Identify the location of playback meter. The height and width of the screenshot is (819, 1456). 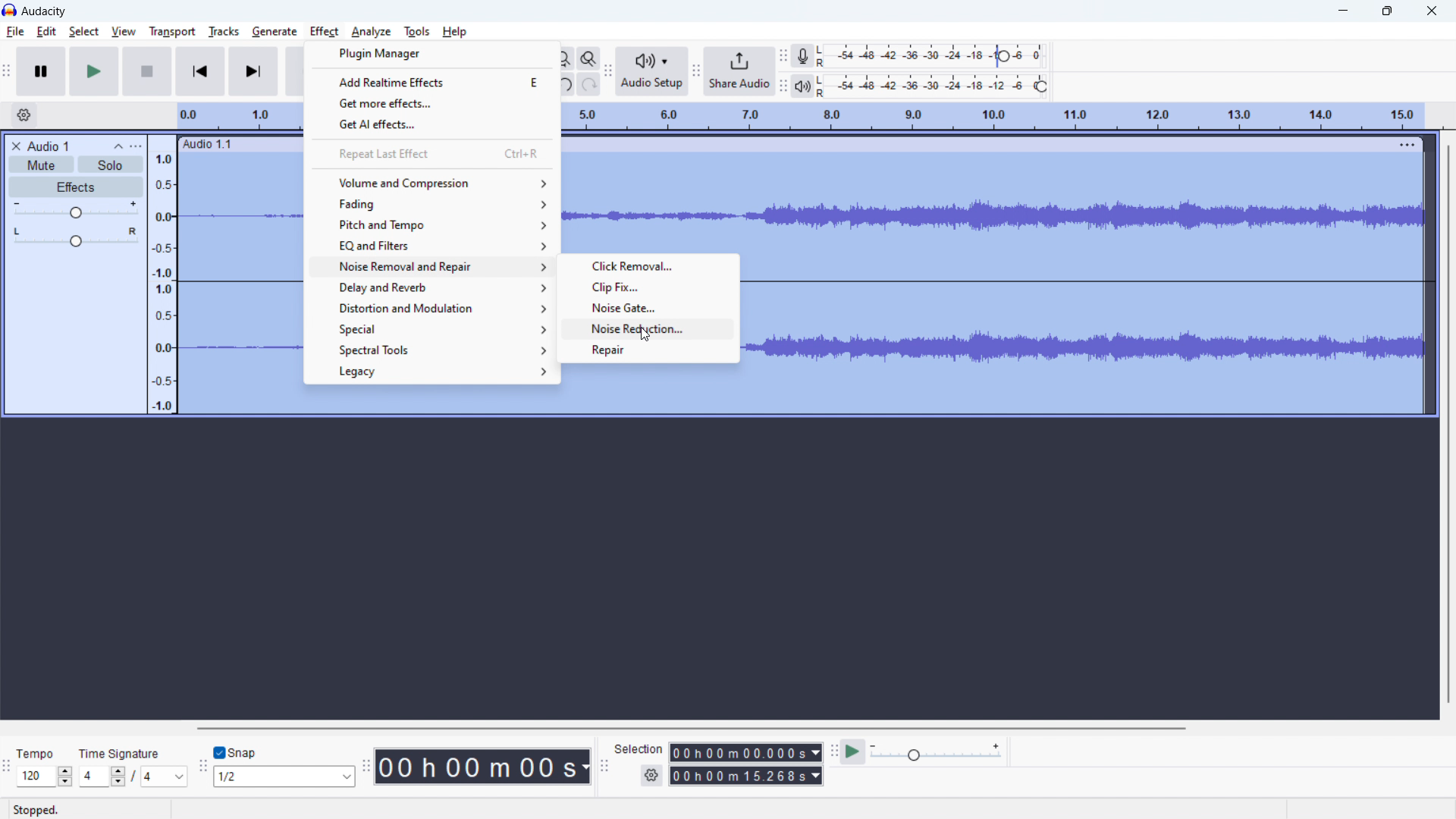
(940, 86).